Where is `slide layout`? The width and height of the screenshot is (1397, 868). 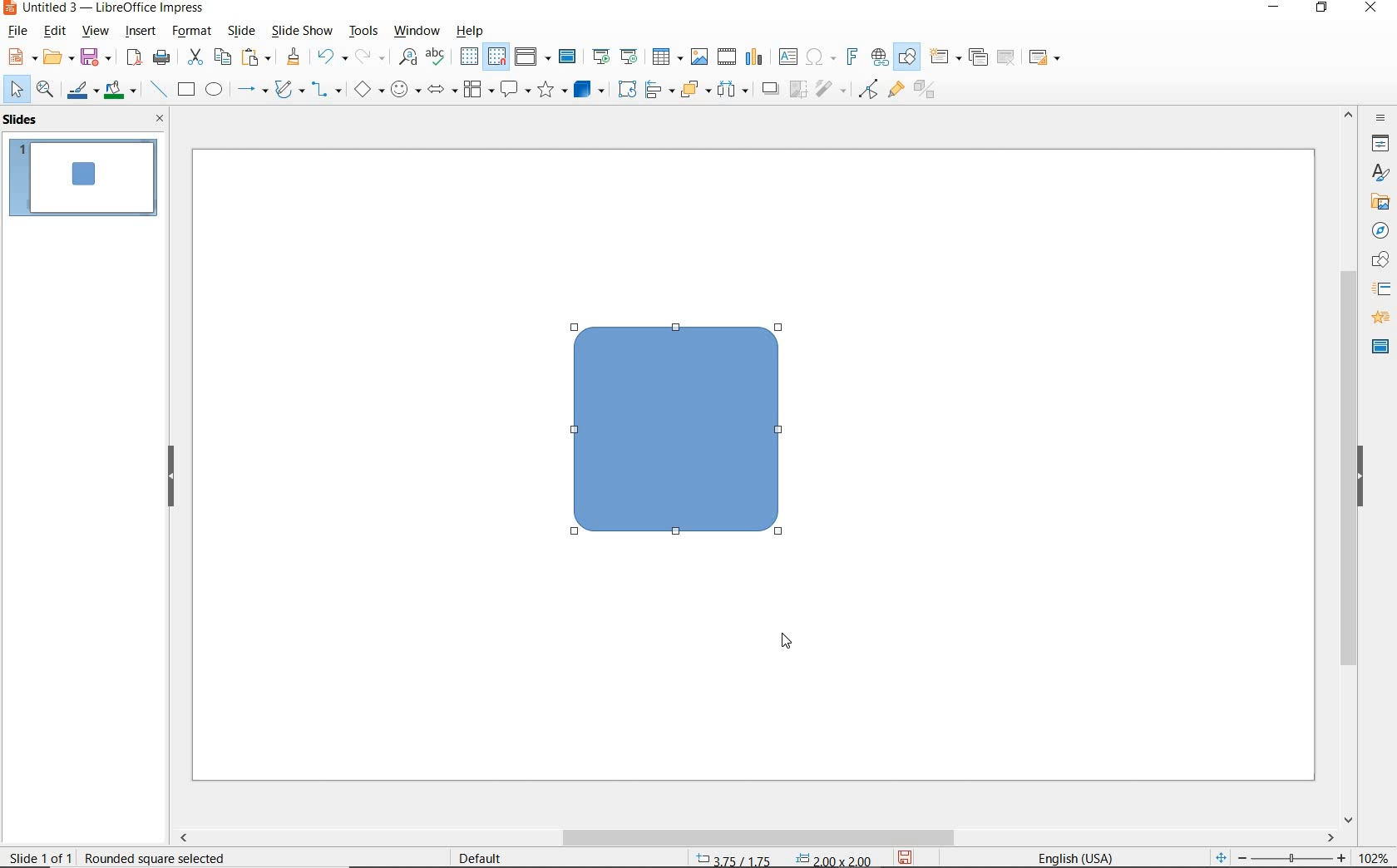 slide layout is located at coordinates (1044, 57).